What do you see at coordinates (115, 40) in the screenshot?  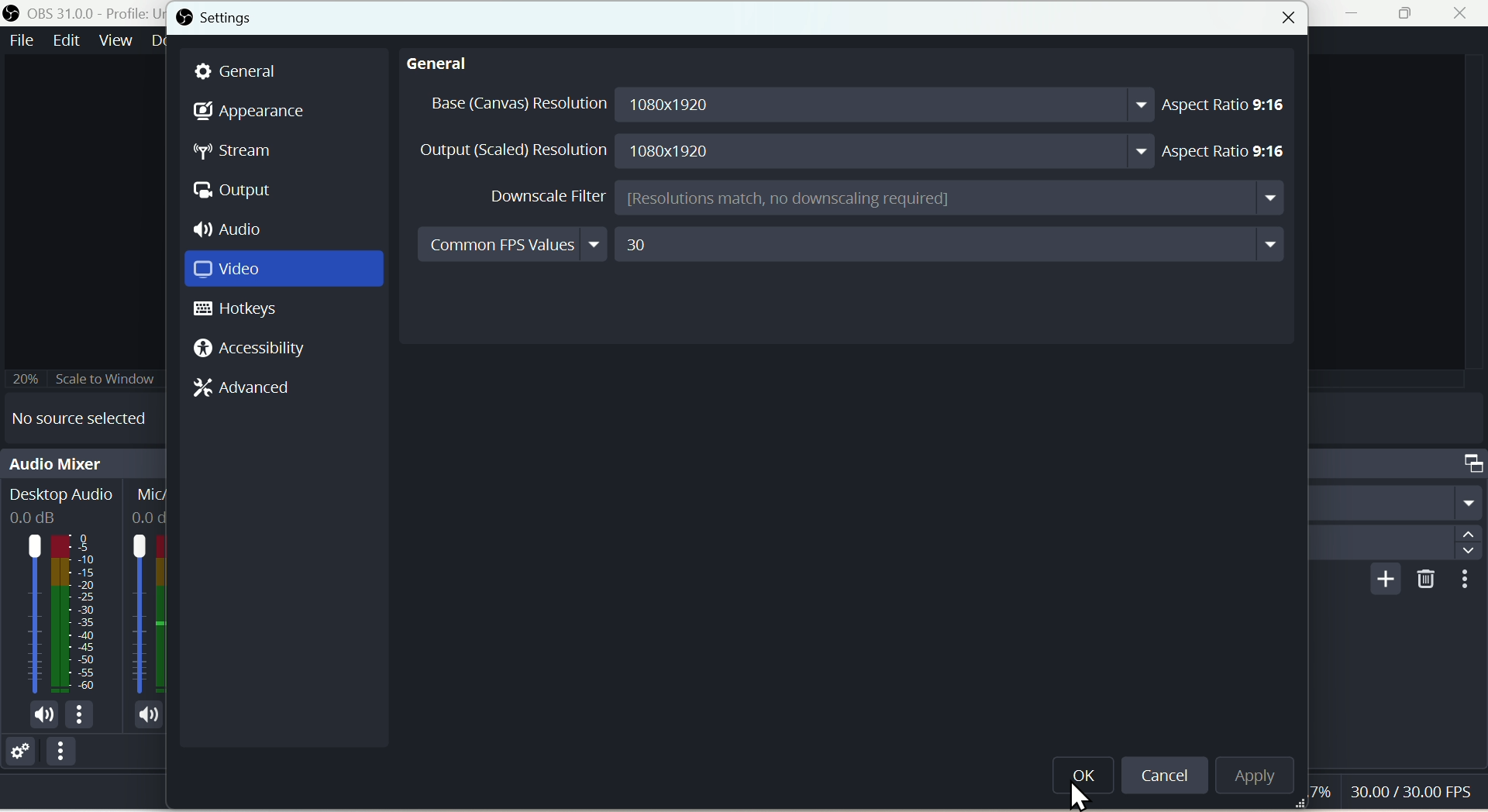 I see `view` at bounding box center [115, 40].